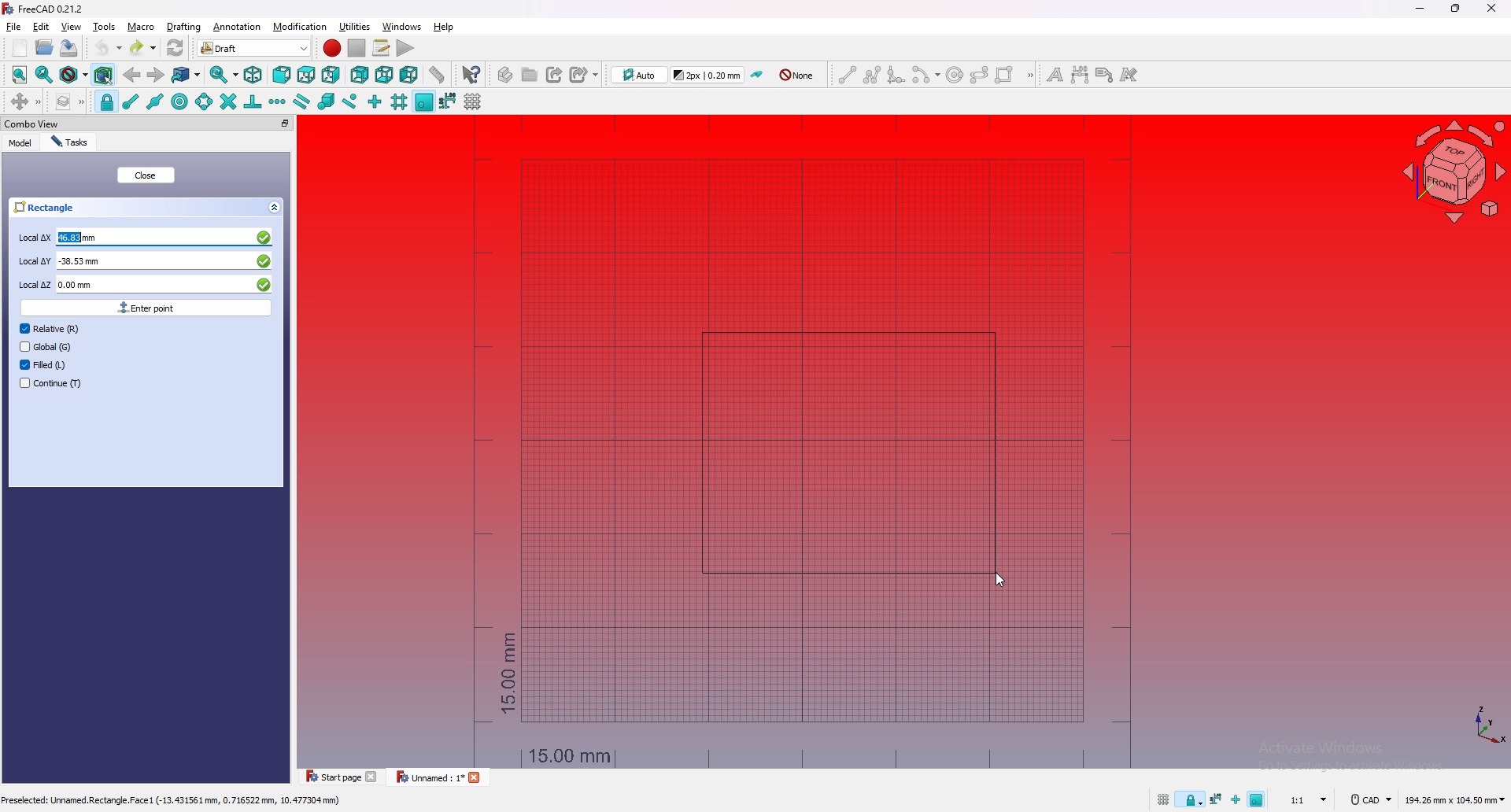 Image resolution: width=1511 pixels, height=812 pixels. I want to click on stop debugging, so click(357, 48).